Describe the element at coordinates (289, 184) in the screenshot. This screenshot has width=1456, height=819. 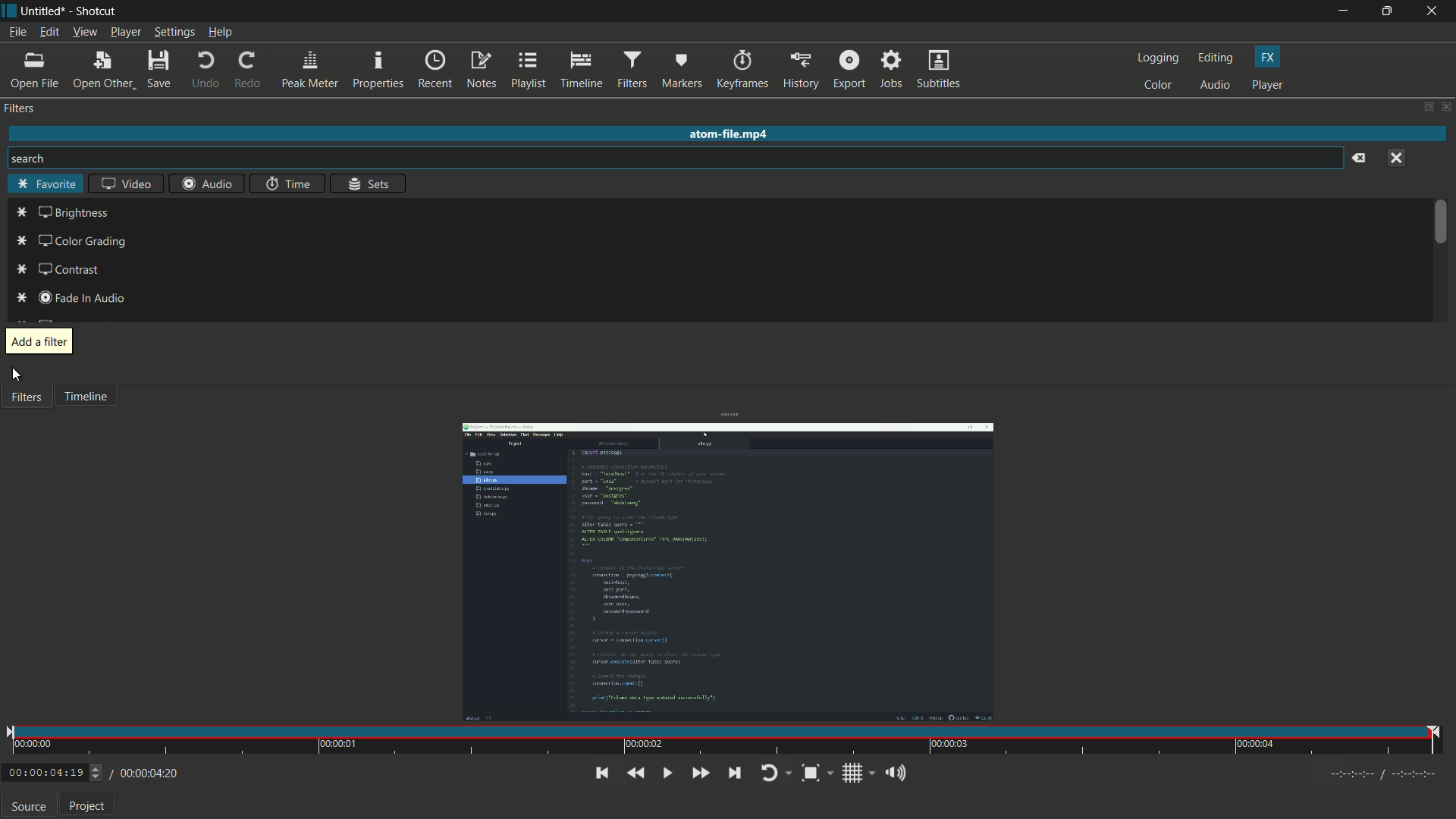
I see `time` at that location.